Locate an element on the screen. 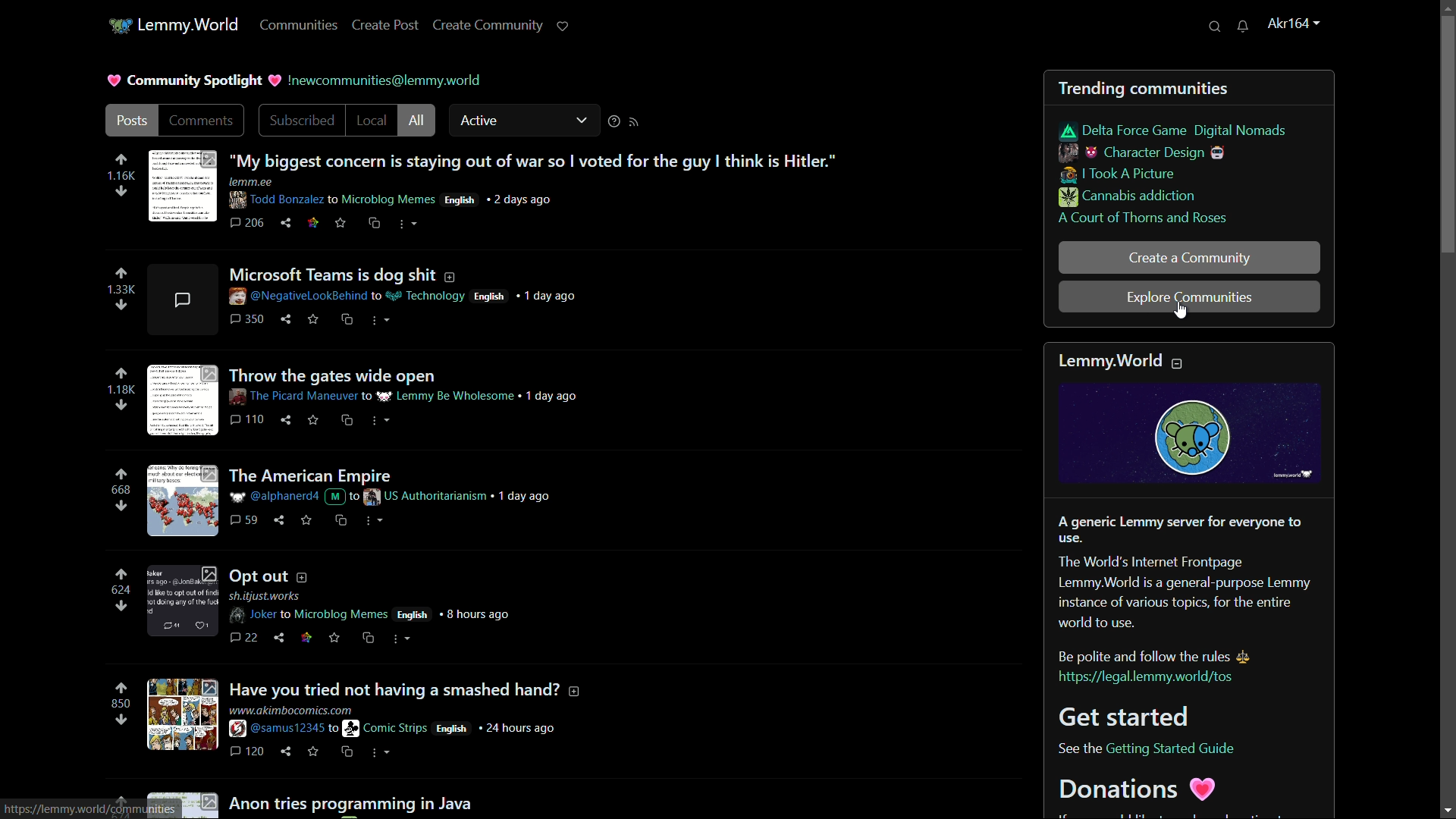 This screenshot has height=819, width=1456. newcommunity@lemmy.world is located at coordinates (379, 80).